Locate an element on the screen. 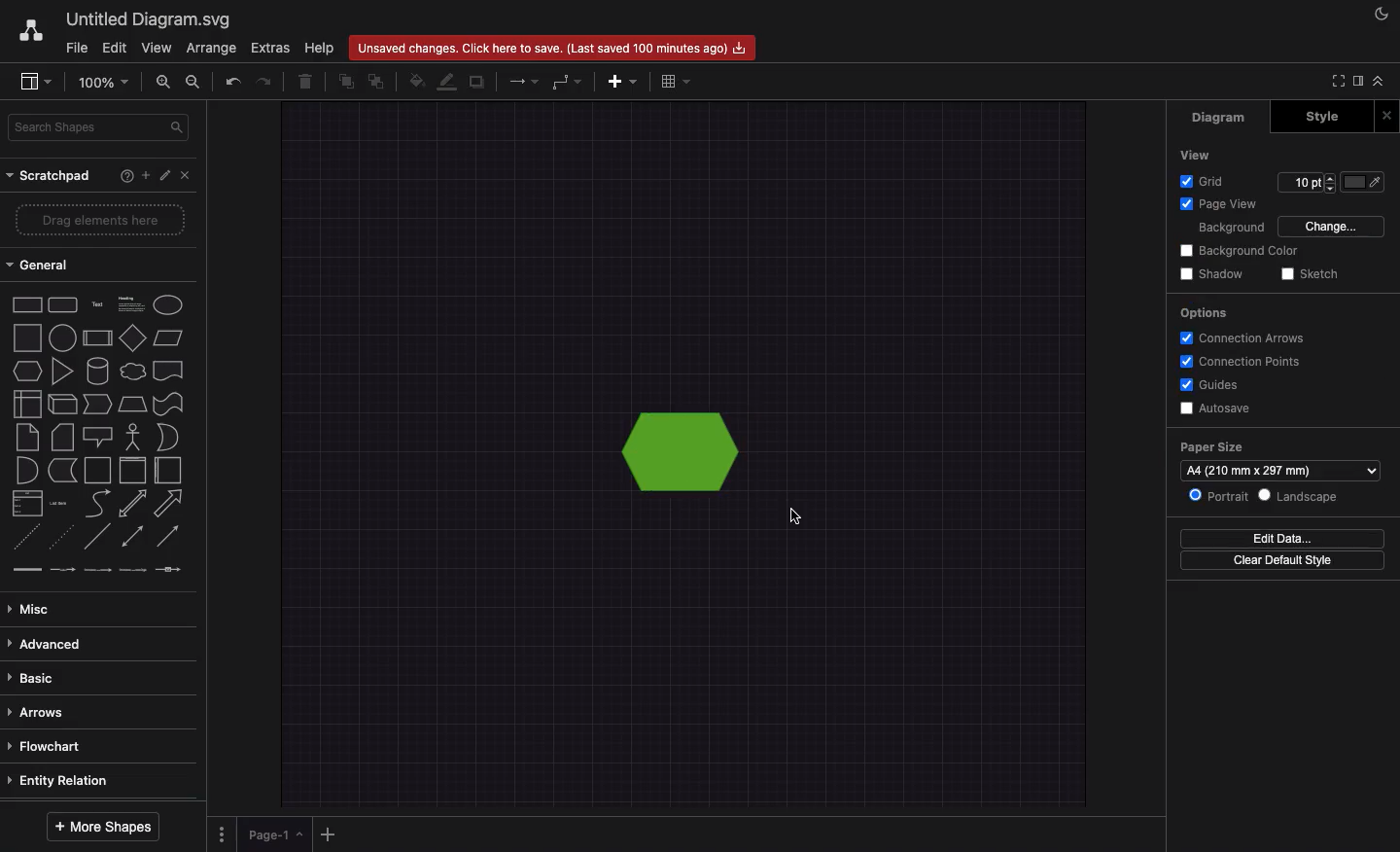 Image resolution: width=1400 pixels, height=852 pixels. Close is located at coordinates (187, 175).